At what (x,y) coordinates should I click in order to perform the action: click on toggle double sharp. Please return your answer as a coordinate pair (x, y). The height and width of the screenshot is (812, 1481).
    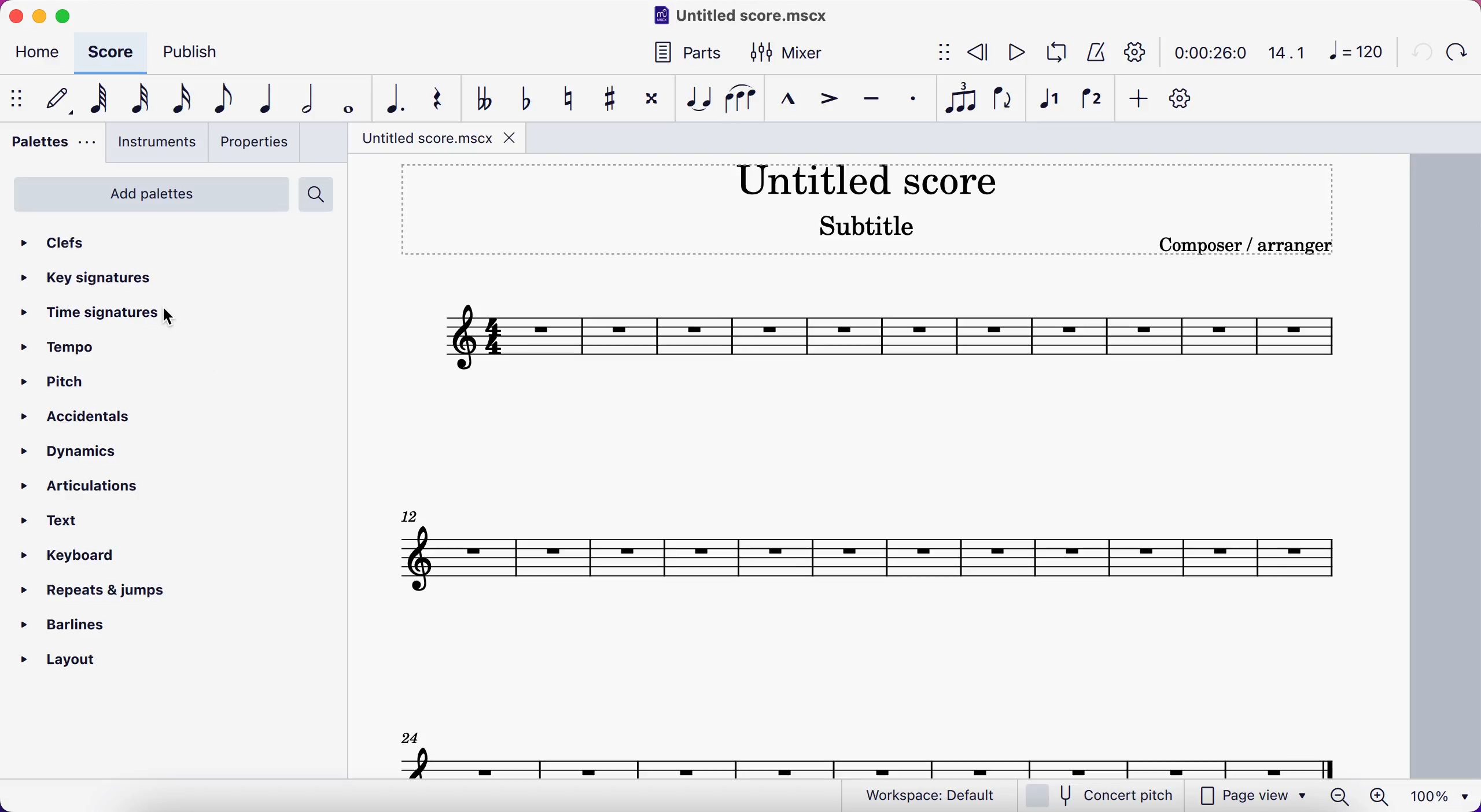
    Looking at the image, I should click on (651, 95).